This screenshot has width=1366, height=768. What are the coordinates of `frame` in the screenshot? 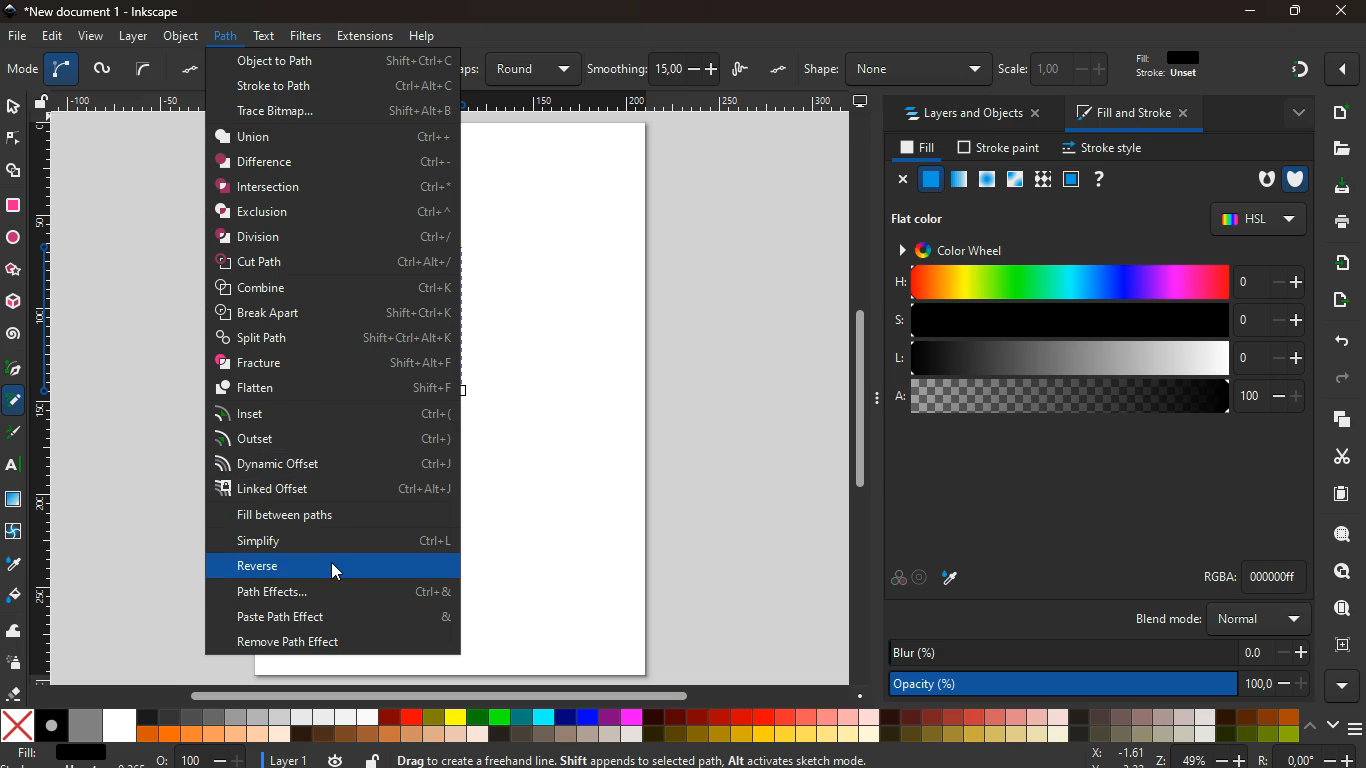 It's located at (1347, 645).